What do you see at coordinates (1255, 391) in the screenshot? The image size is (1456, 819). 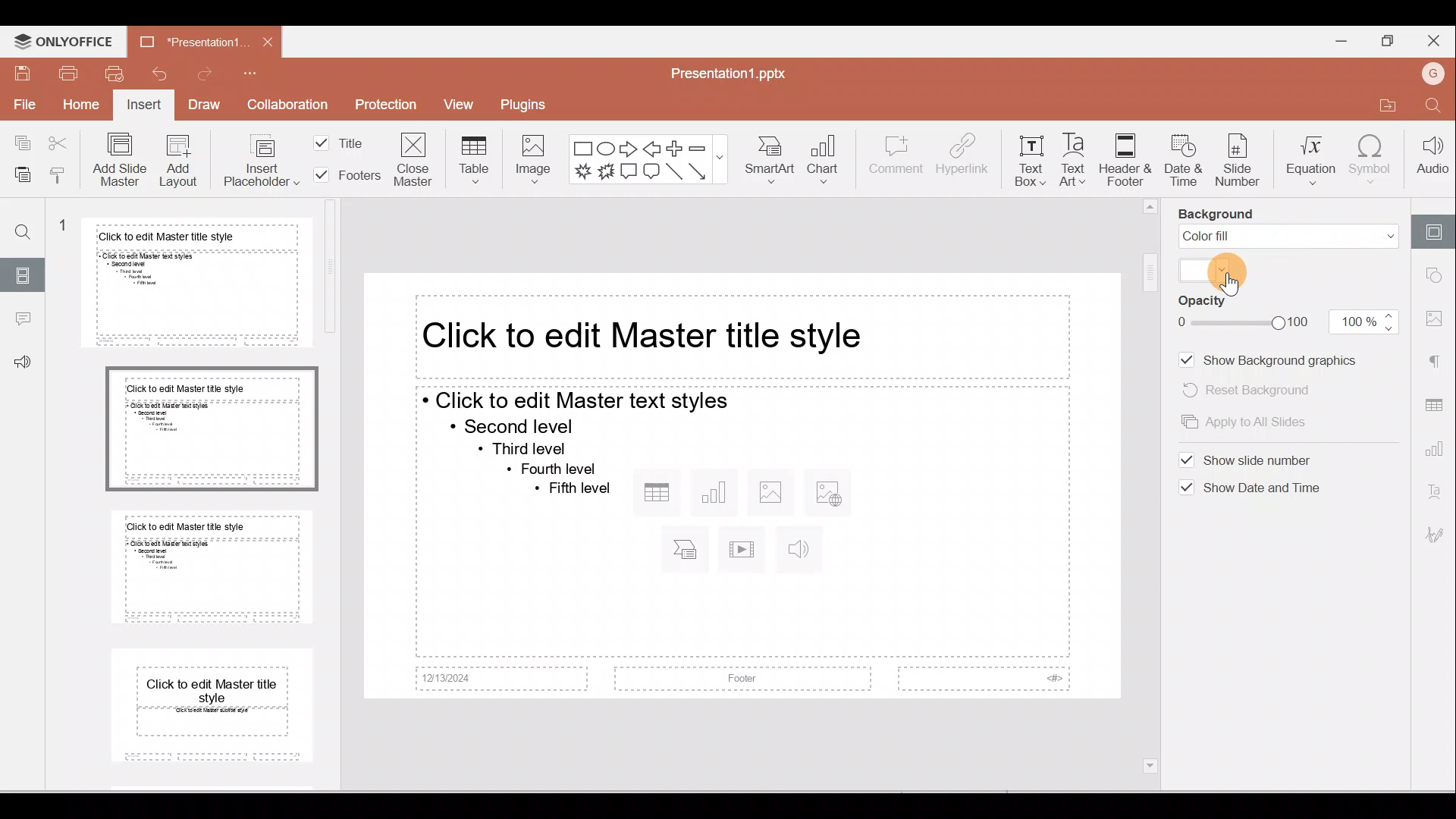 I see `Reset background` at bounding box center [1255, 391].